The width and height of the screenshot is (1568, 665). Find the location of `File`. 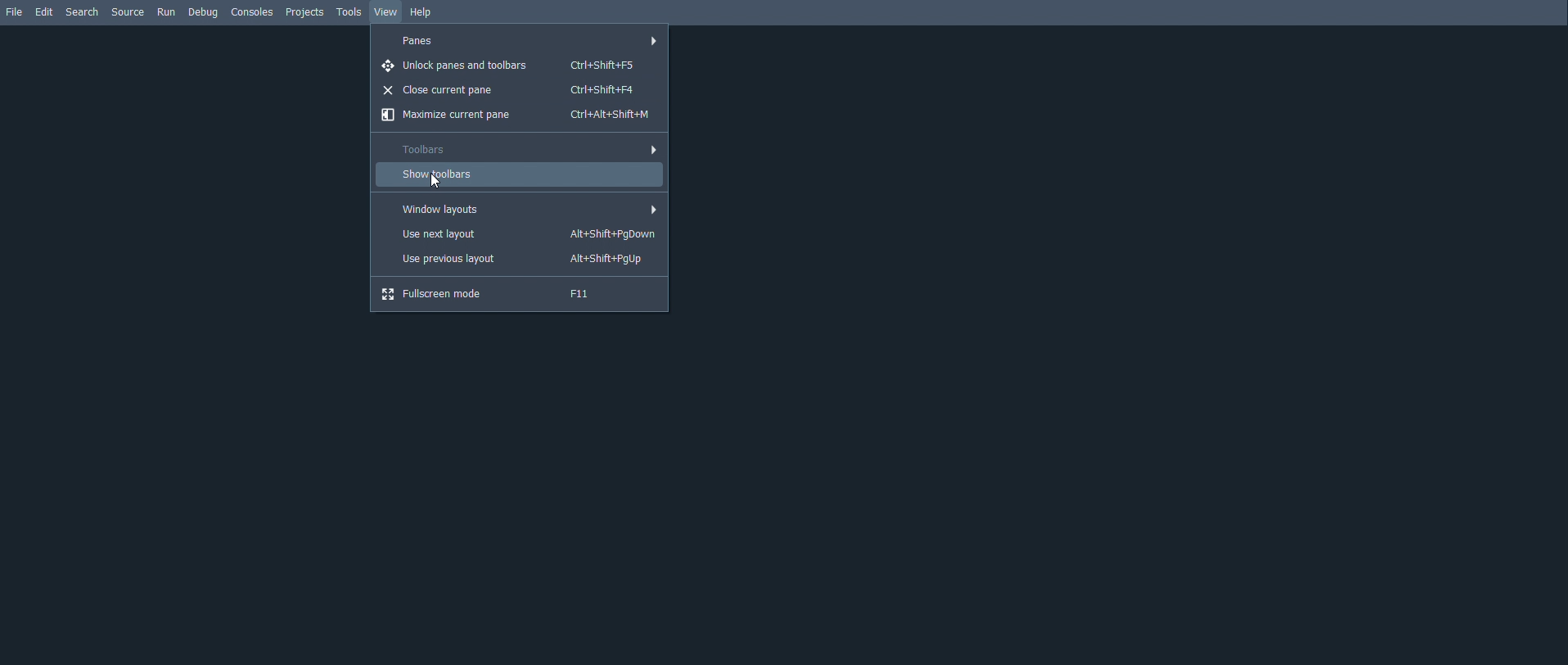

File is located at coordinates (14, 11).